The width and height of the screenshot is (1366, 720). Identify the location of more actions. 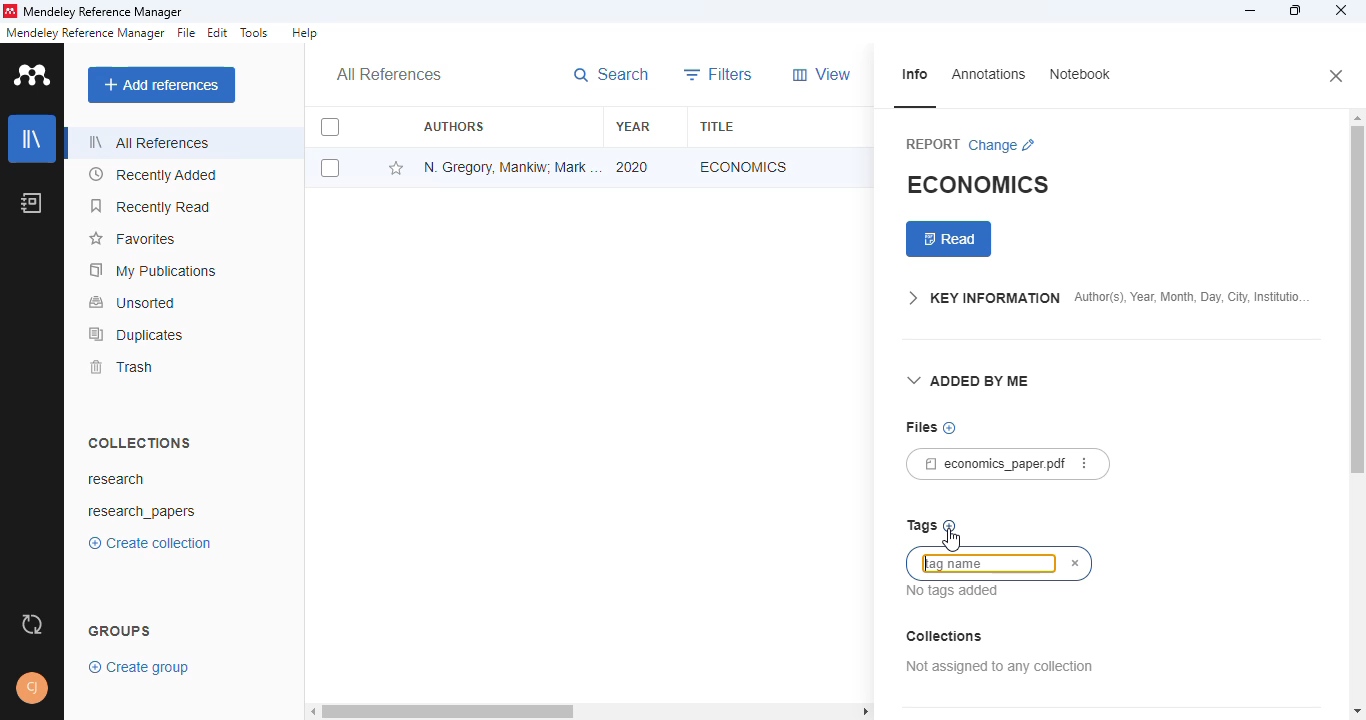
(1084, 463).